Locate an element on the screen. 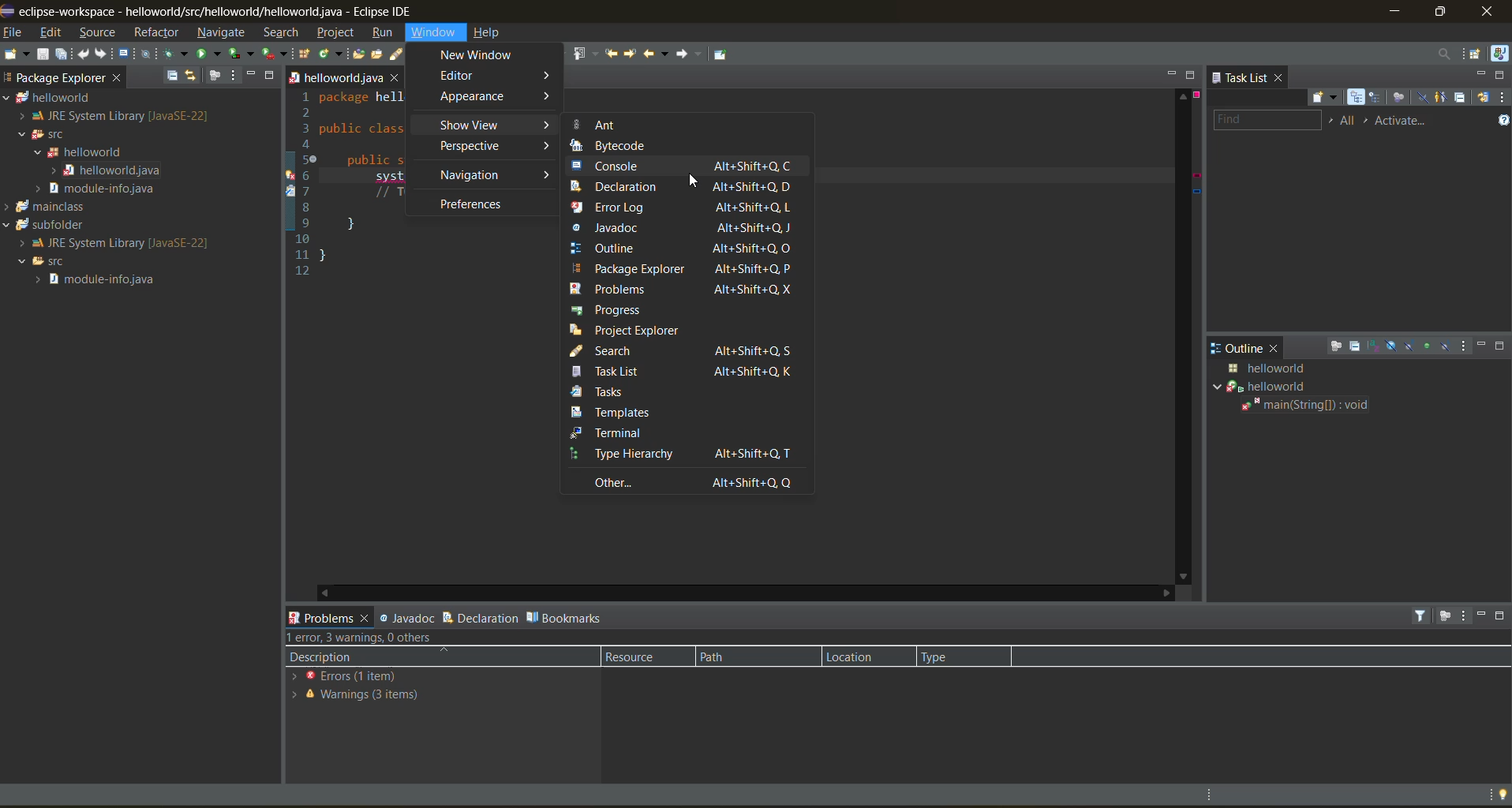 The width and height of the screenshot is (1512, 808). error, 3 warning, 0 others is located at coordinates (414, 639).